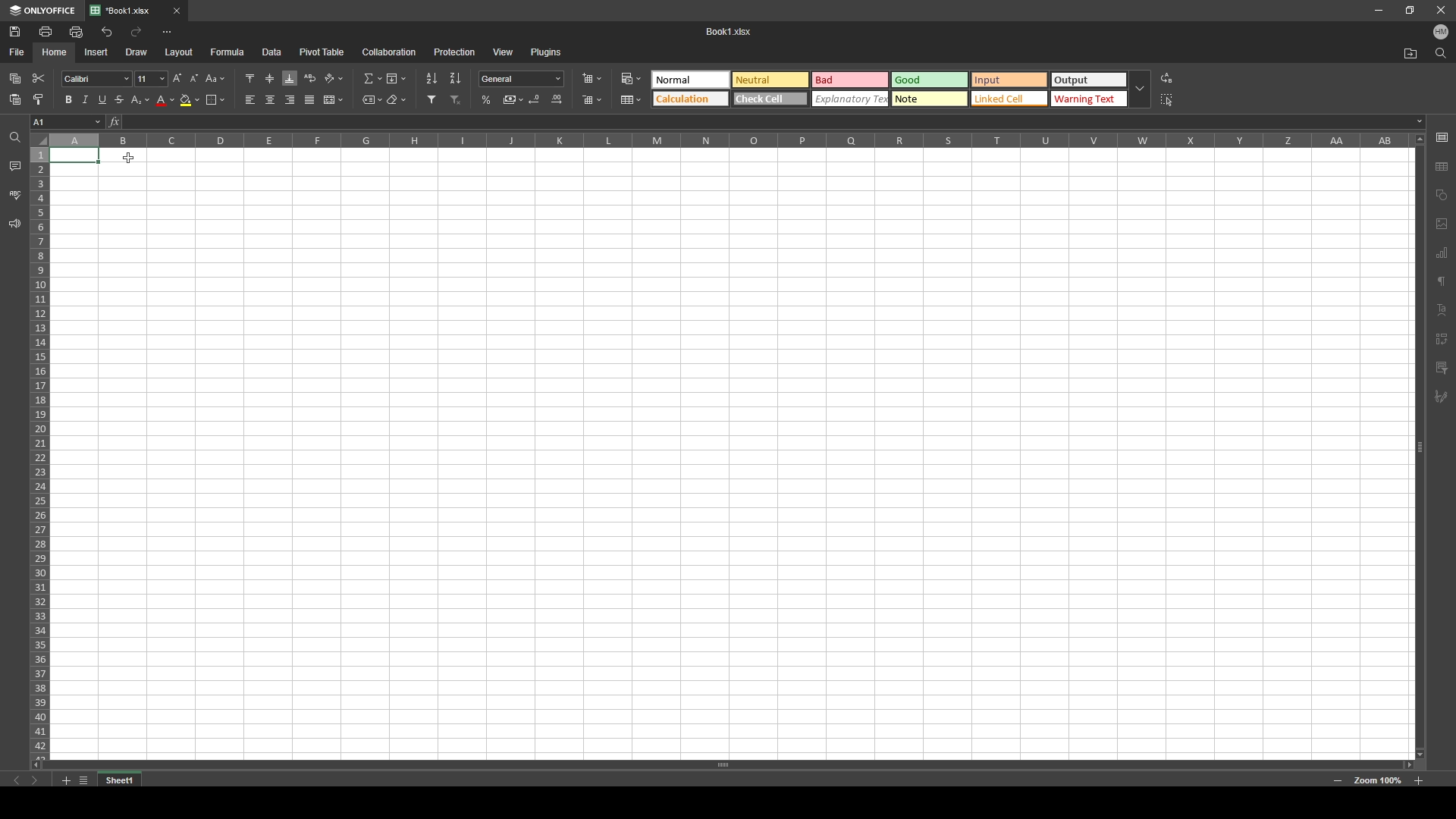 This screenshot has height=819, width=1456. Describe the element at coordinates (852, 99) in the screenshot. I see `Explanatory text` at that location.